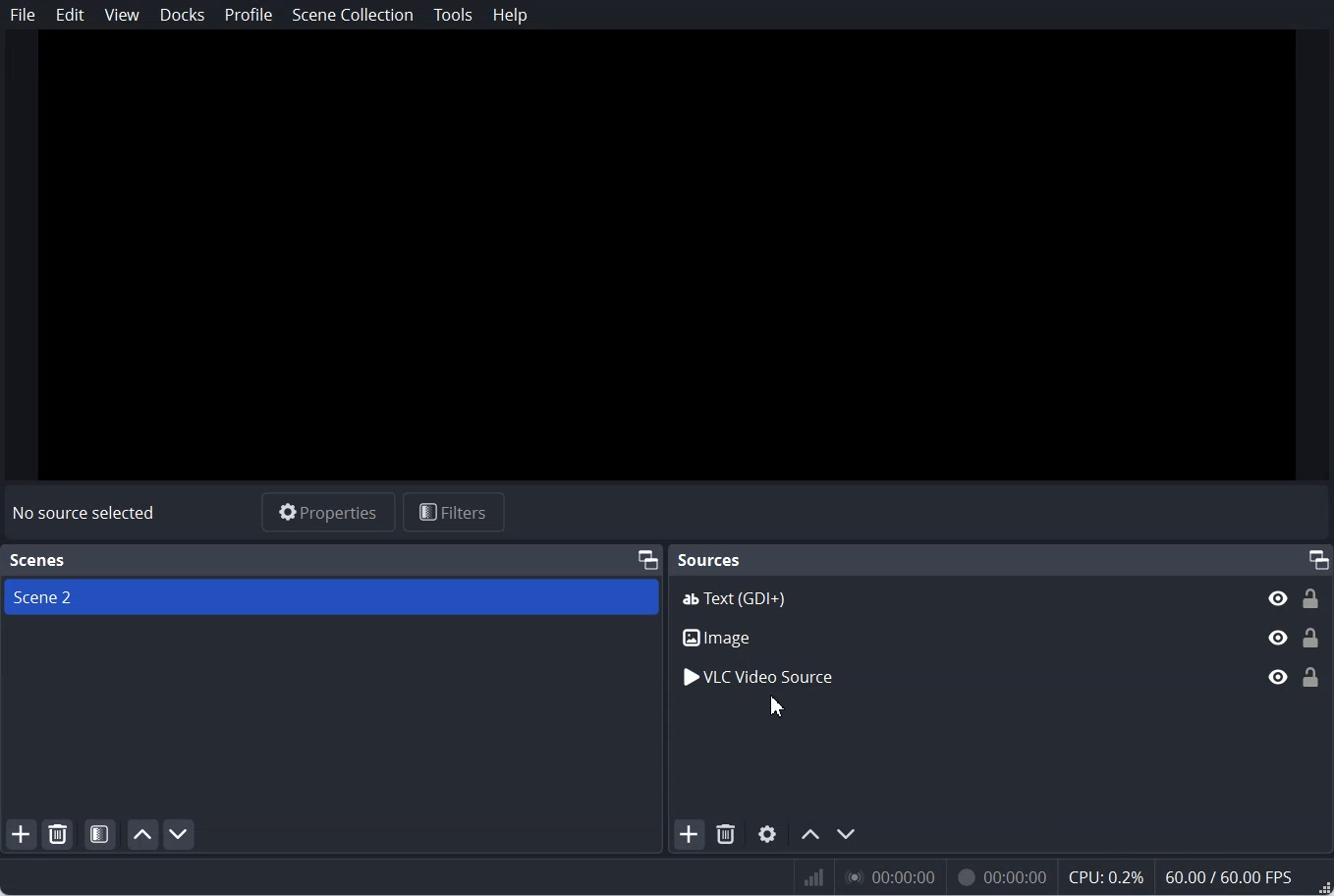 The height and width of the screenshot is (896, 1334). What do you see at coordinates (250, 15) in the screenshot?
I see `Profile` at bounding box center [250, 15].